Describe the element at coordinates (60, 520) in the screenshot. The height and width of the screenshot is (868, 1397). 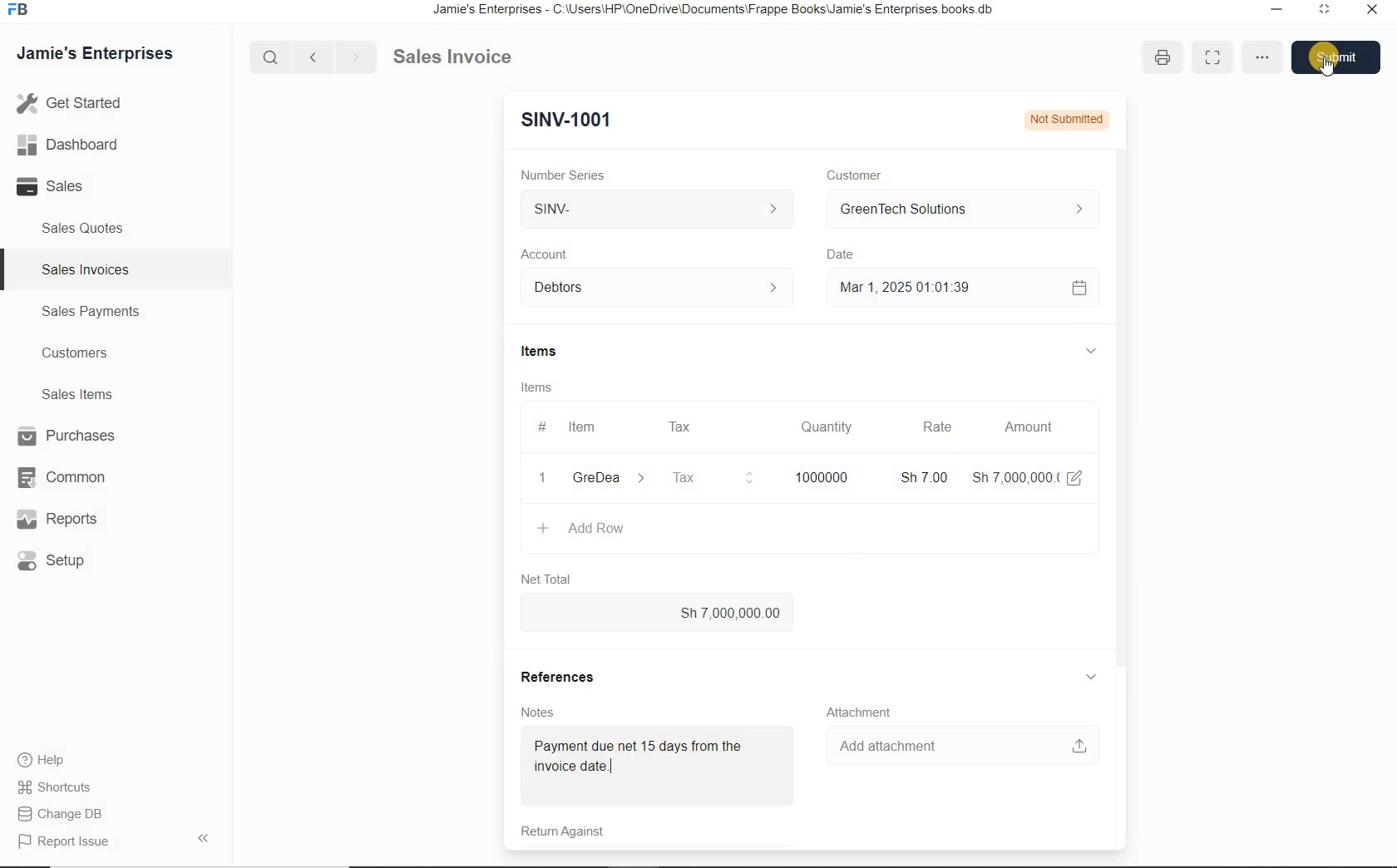
I see `, Reports` at that location.